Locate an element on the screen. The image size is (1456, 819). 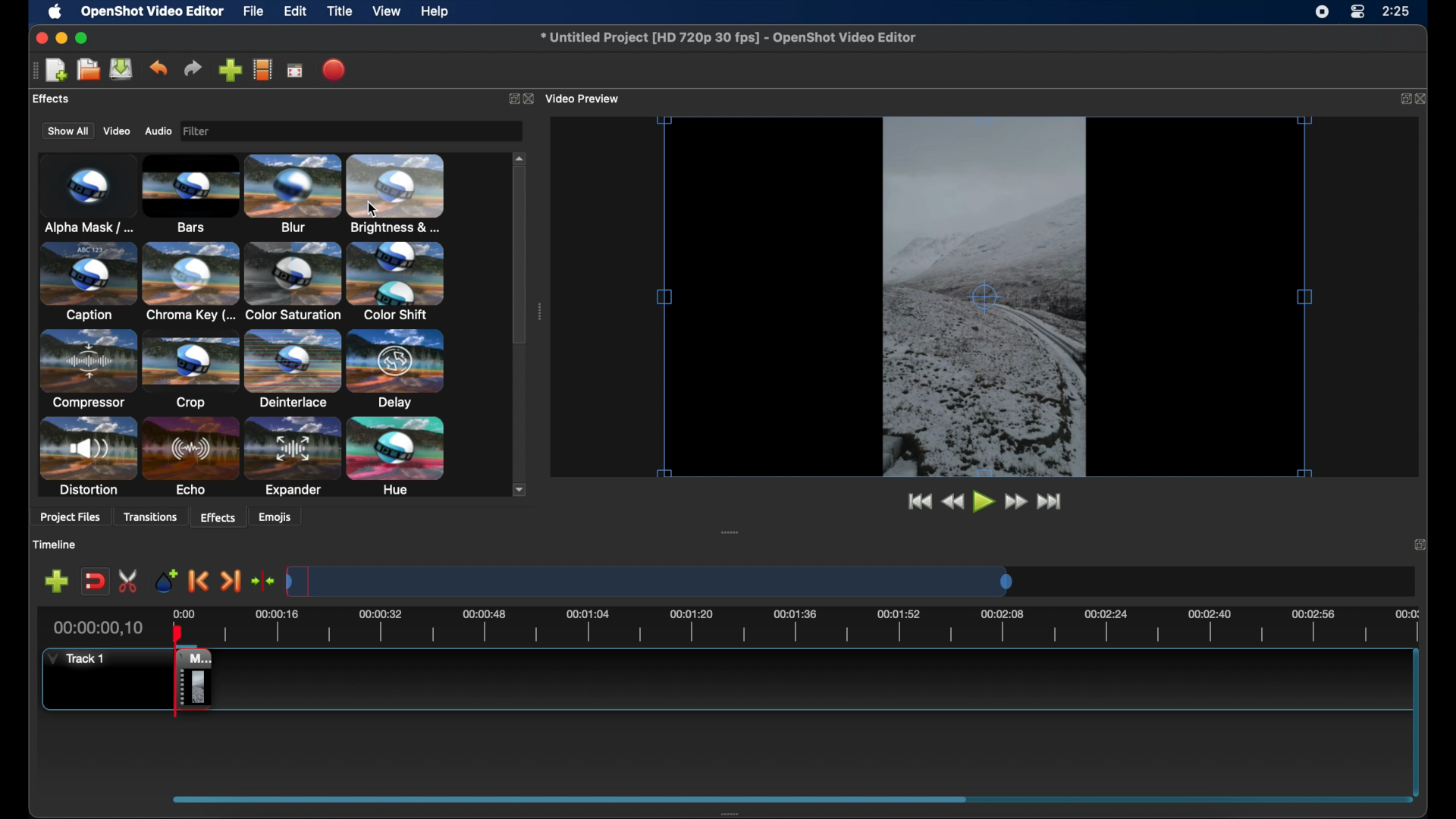
echo is located at coordinates (191, 457).